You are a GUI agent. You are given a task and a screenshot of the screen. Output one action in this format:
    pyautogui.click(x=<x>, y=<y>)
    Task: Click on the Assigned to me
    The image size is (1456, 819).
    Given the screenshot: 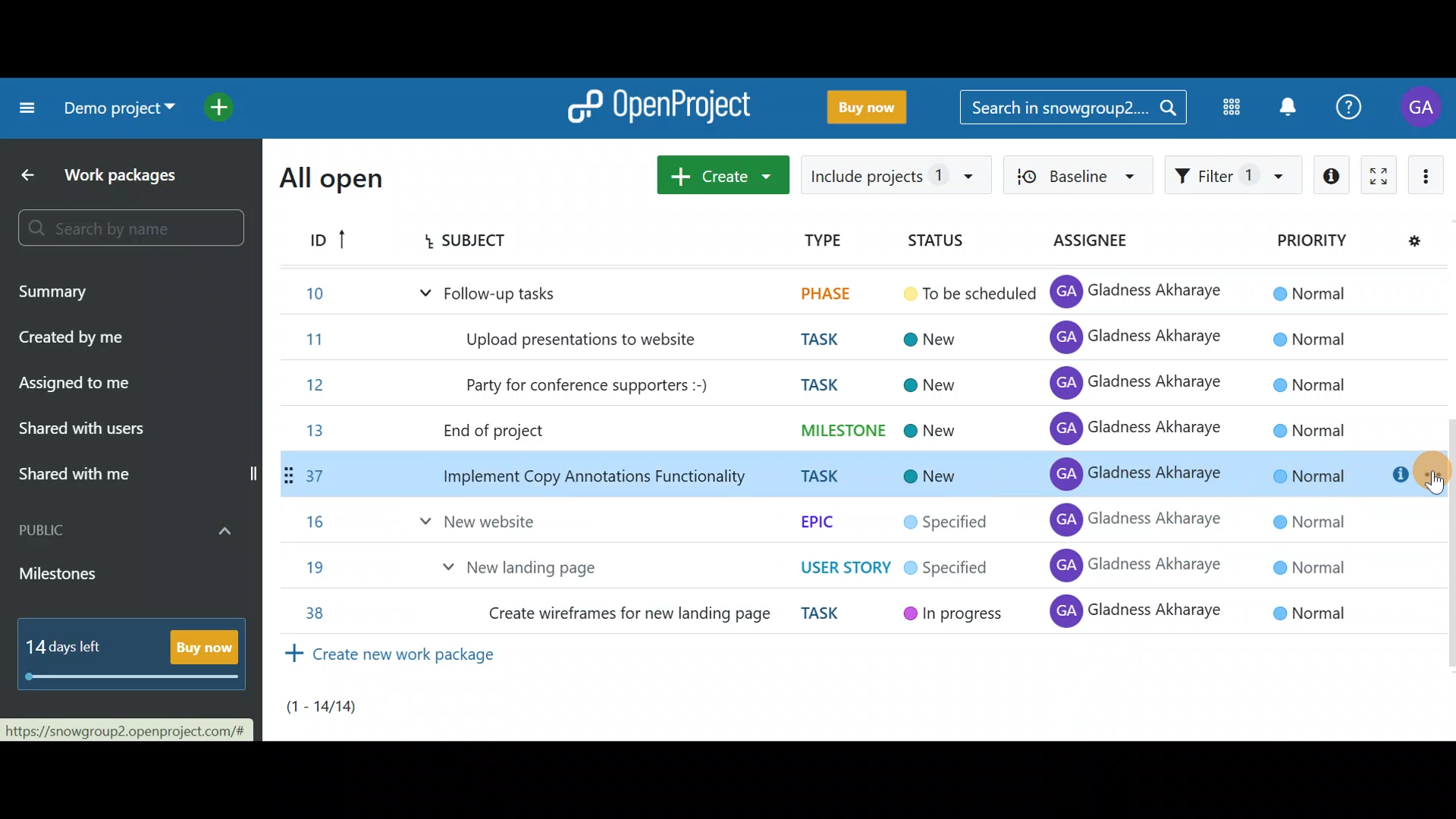 What is the action you would take?
    pyautogui.click(x=102, y=388)
    